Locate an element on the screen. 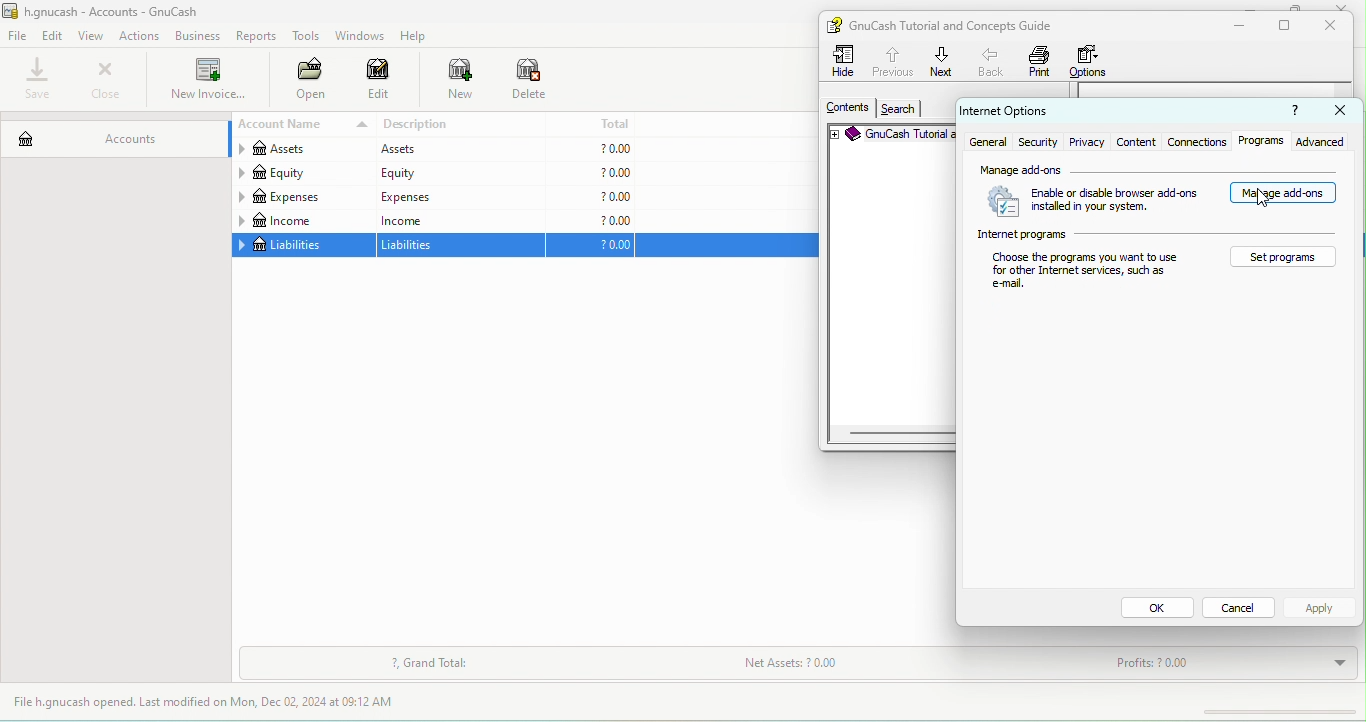 This screenshot has width=1366, height=722. file h.gnucash opened last modified on mon, dec 02,2024 at 09.12 am is located at coordinates (219, 703).